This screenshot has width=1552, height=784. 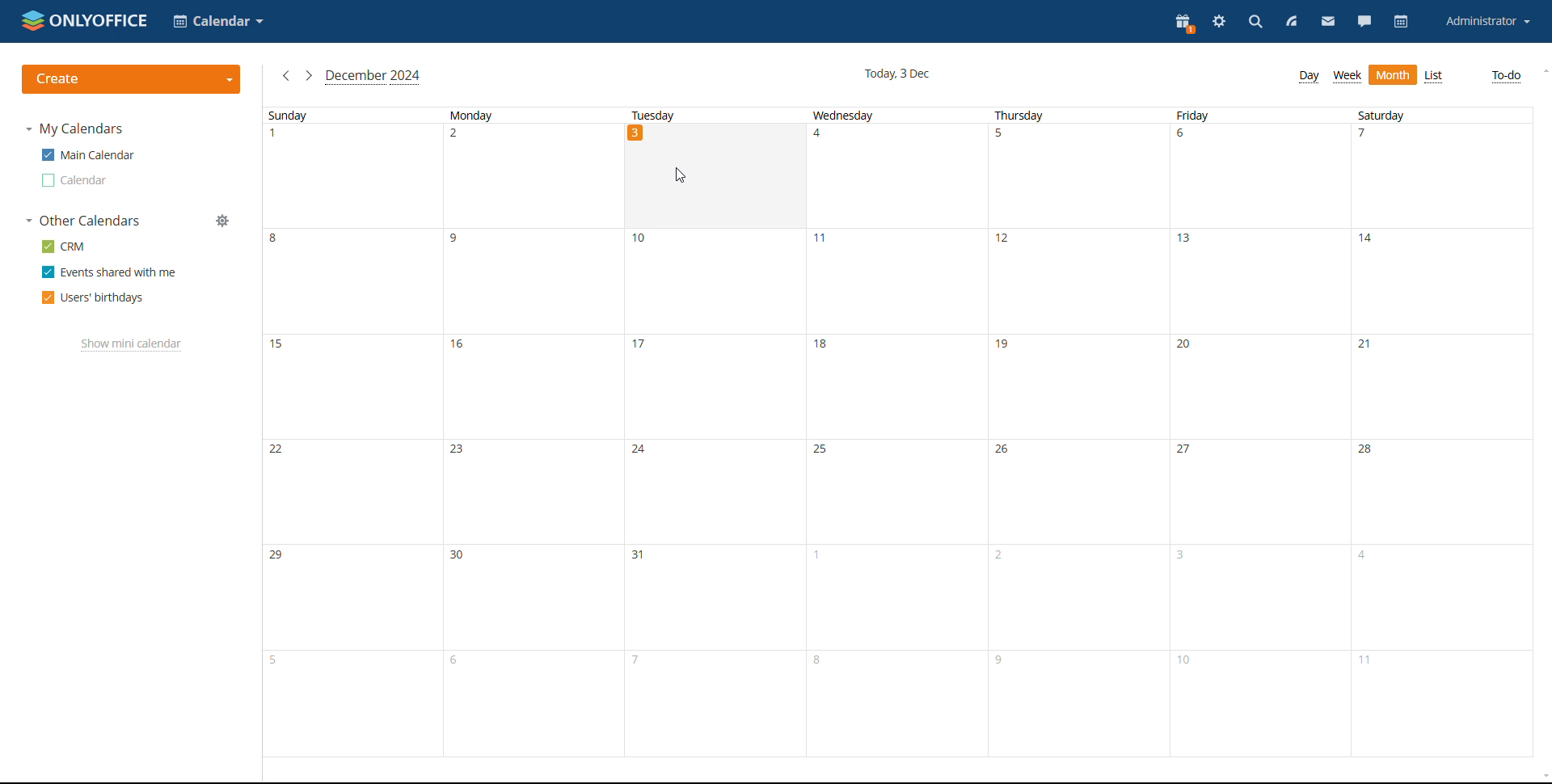 I want to click on chat, so click(x=1364, y=22).